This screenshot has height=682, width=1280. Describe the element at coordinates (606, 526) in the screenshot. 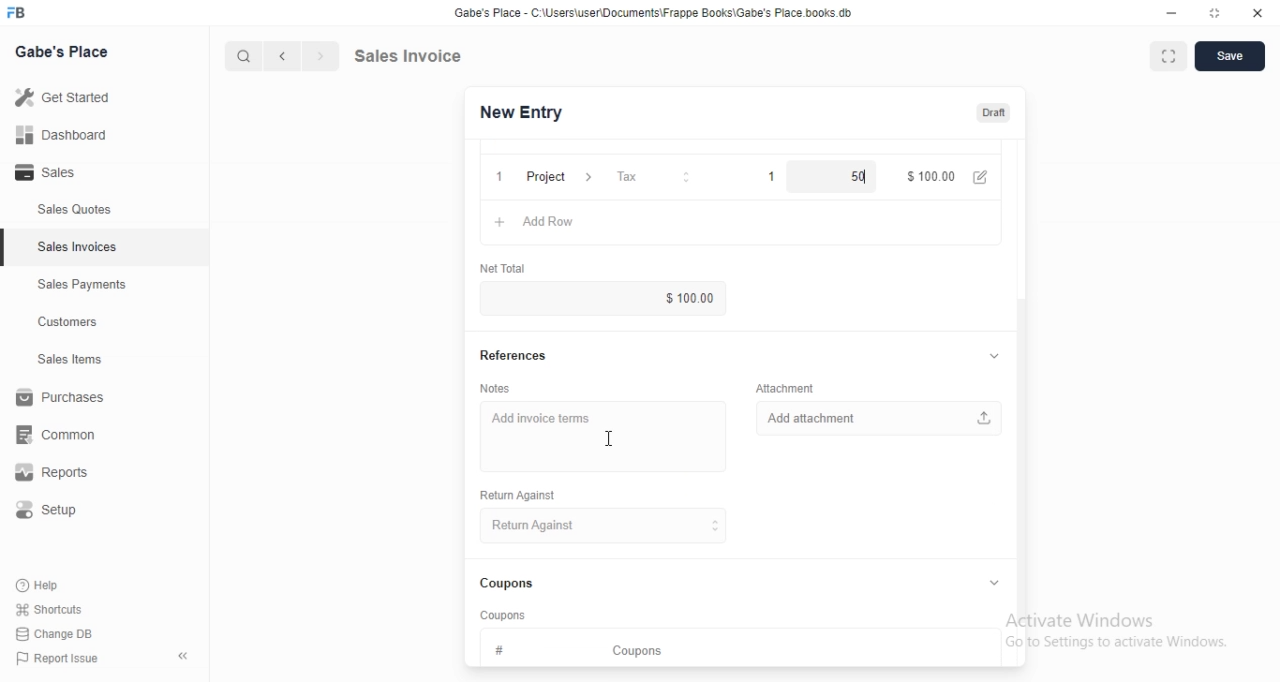

I see `Return Against` at that location.